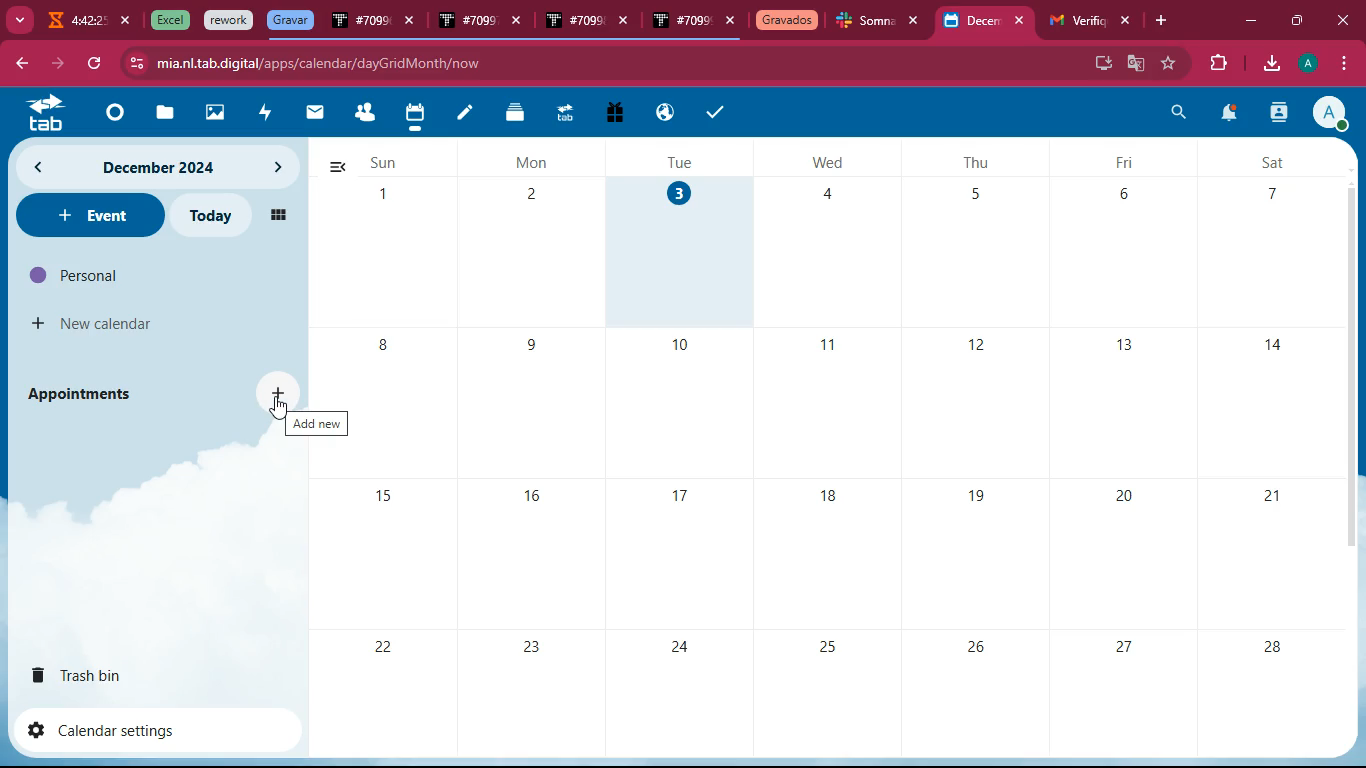 This screenshot has width=1366, height=768. I want to click on add appointment, so click(281, 390).